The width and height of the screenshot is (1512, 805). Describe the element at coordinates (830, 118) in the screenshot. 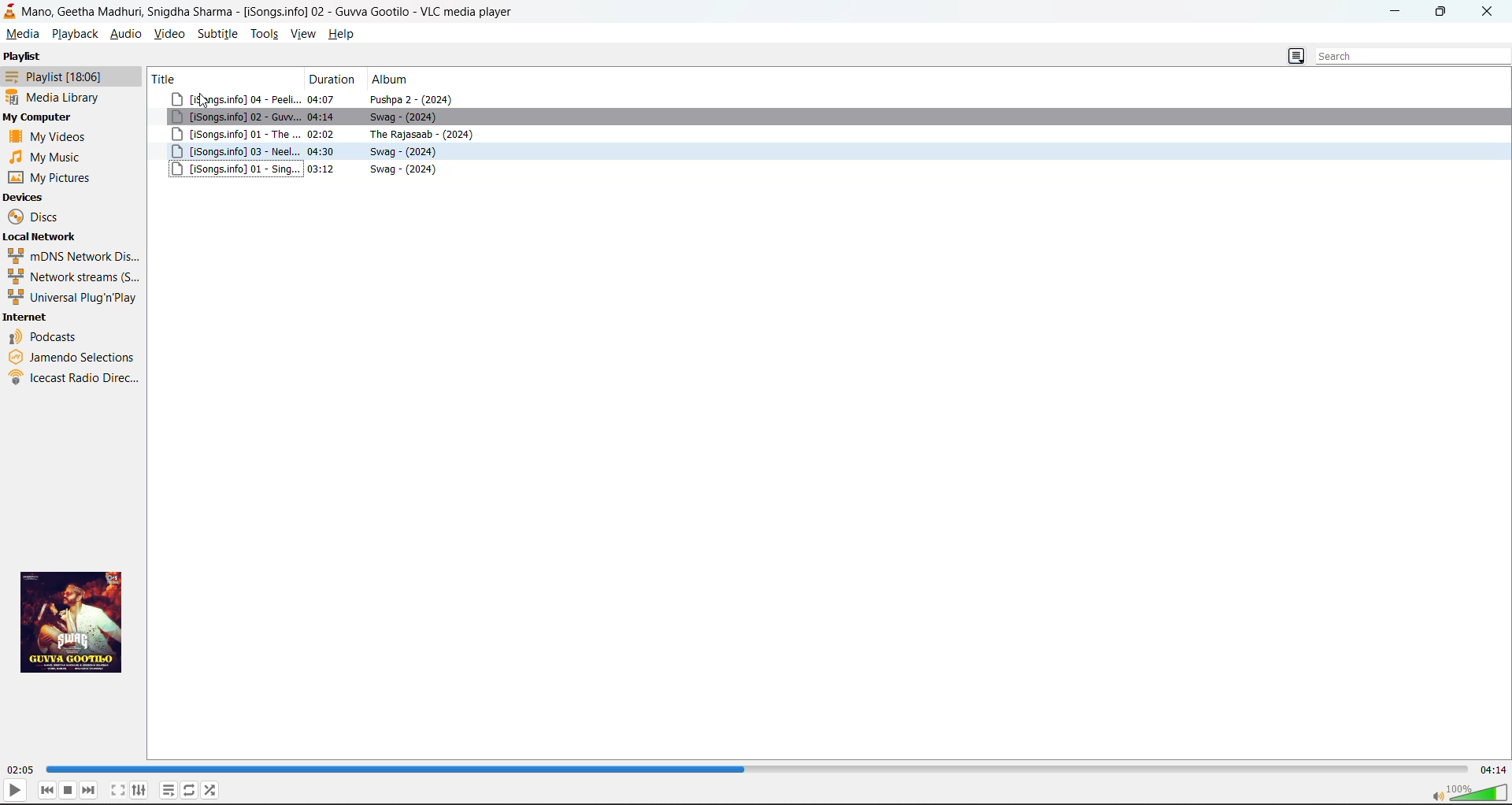

I see `song` at that location.